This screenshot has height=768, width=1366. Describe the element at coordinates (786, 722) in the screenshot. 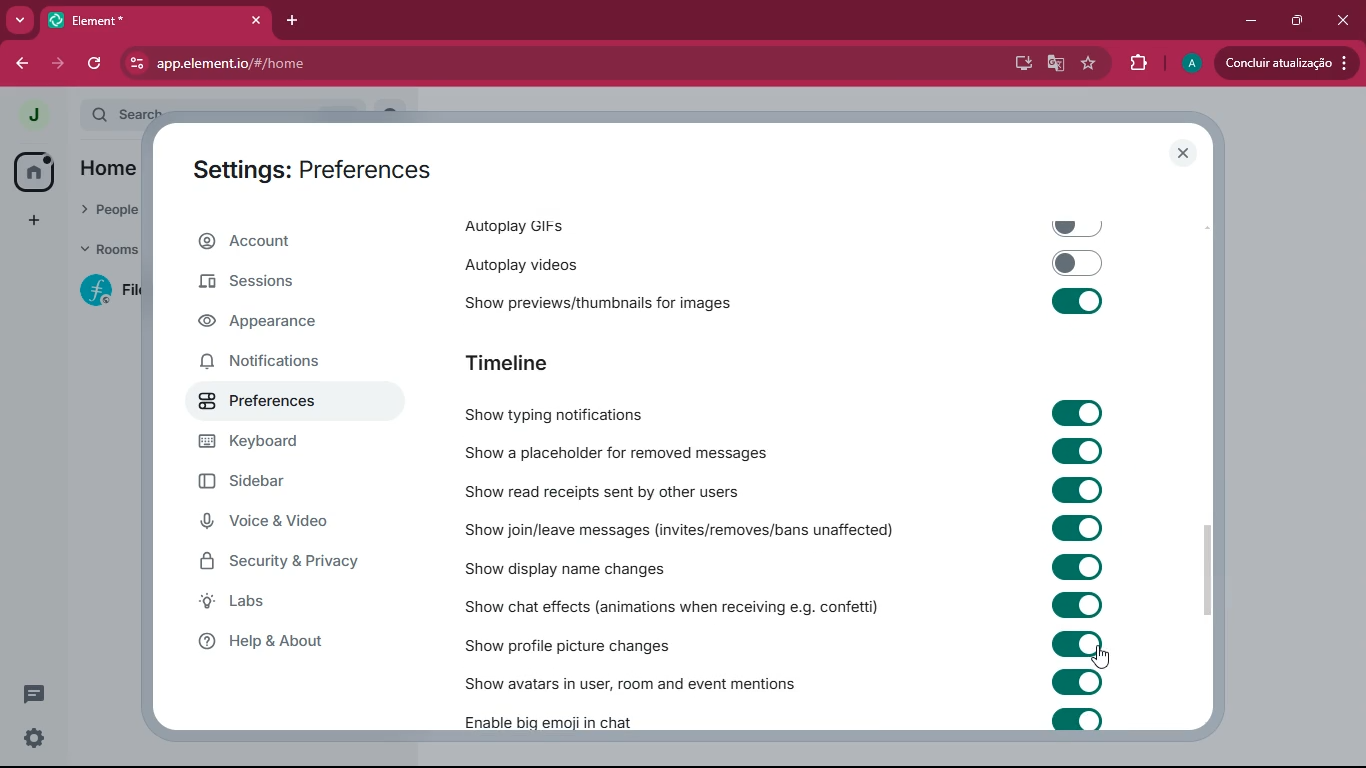

I see `Enable big emoji in chat ` at that location.